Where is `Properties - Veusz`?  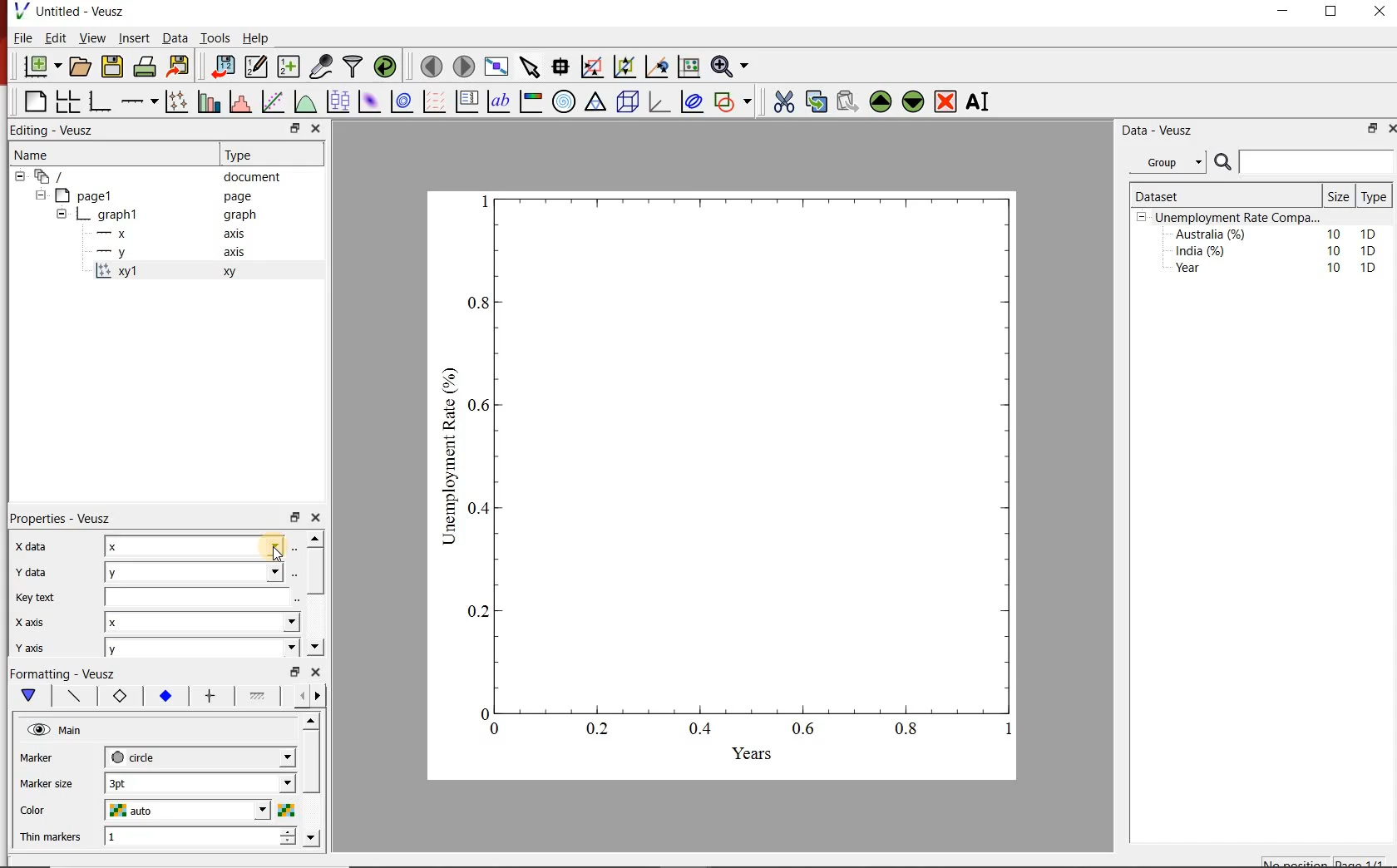 Properties - Veusz is located at coordinates (63, 520).